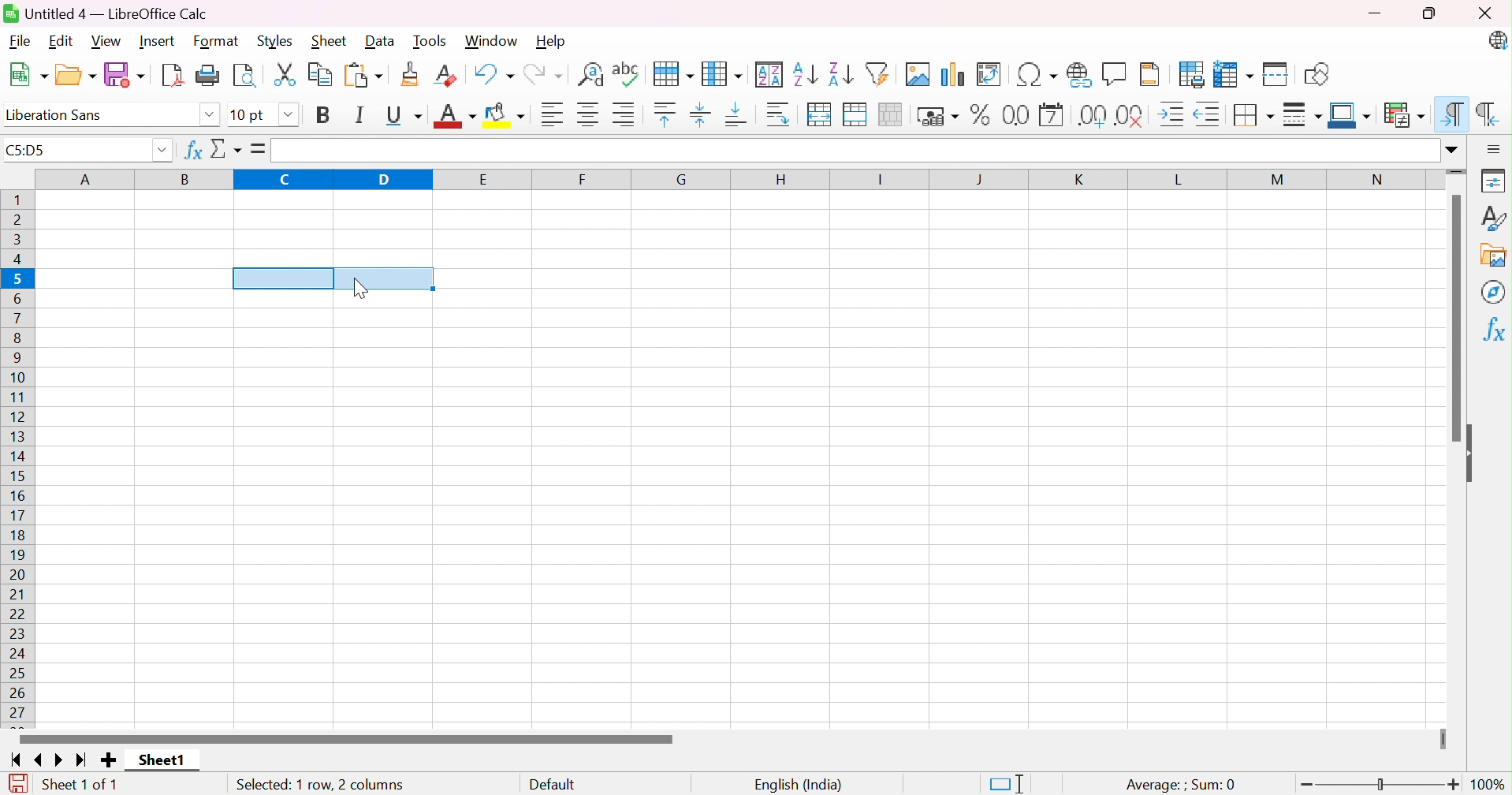 This screenshot has height=795, width=1512. What do you see at coordinates (937, 117) in the screenshot?
I see `Format as Currency` at bounding box center [937, 117].